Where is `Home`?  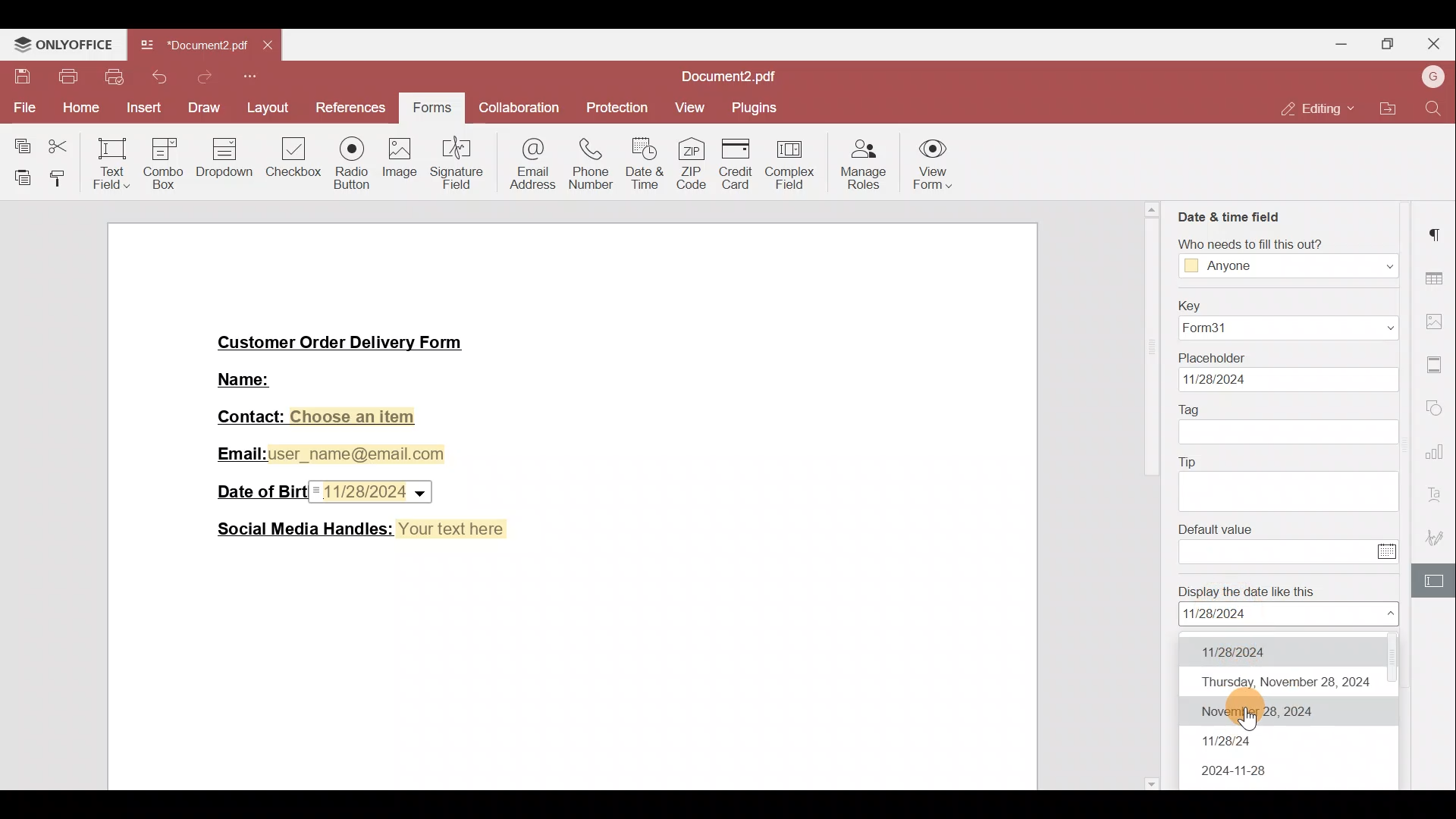 Home is located at coordinates (77, 109).